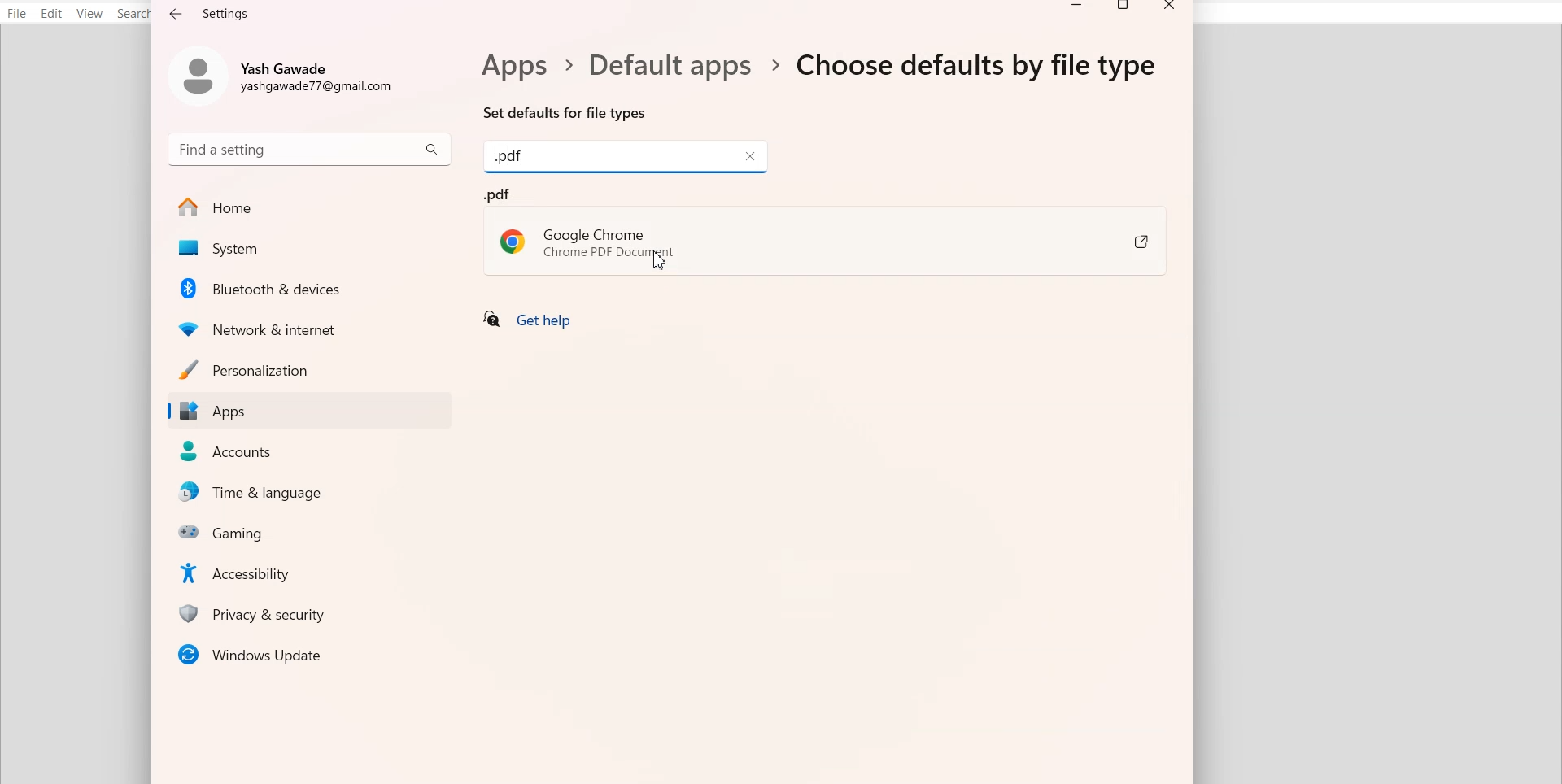 Image resolution: width=1562 pixels, height=784 pixels. I want to click on Search bar, so click(310, 148).